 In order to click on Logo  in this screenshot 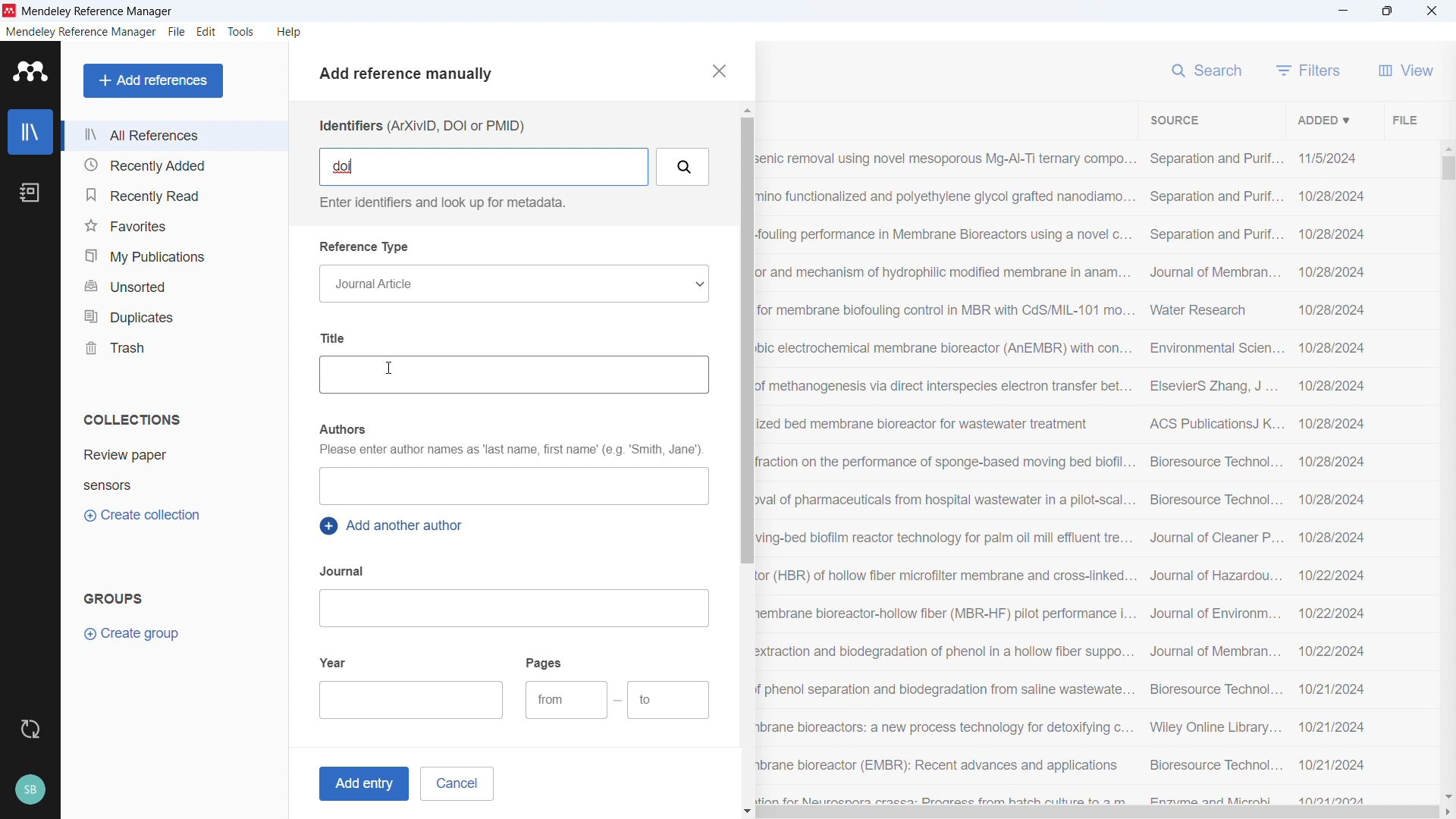, I will do `click(31, 71)`.